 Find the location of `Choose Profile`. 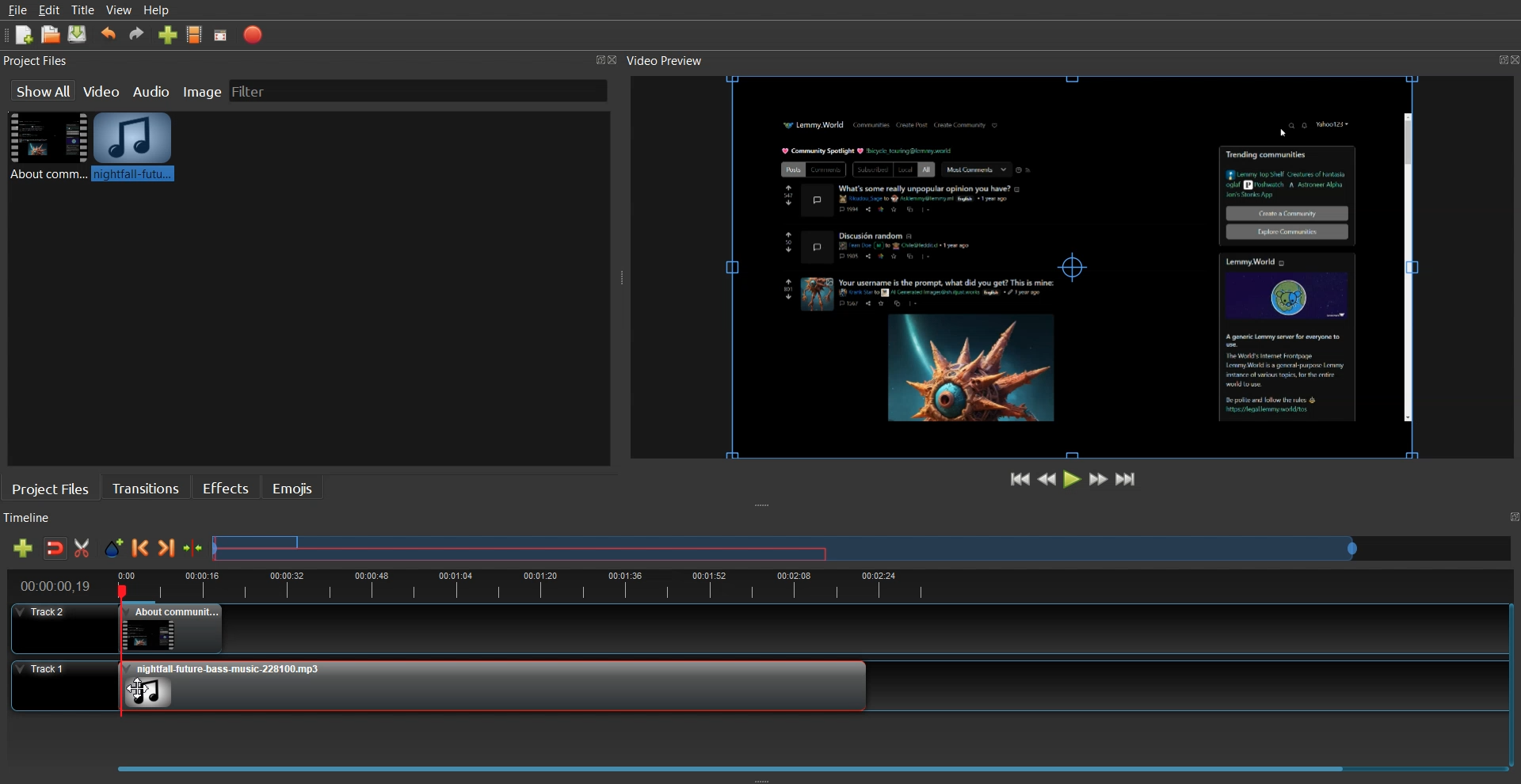

Choose Profile is located at coordinates (195, 34).